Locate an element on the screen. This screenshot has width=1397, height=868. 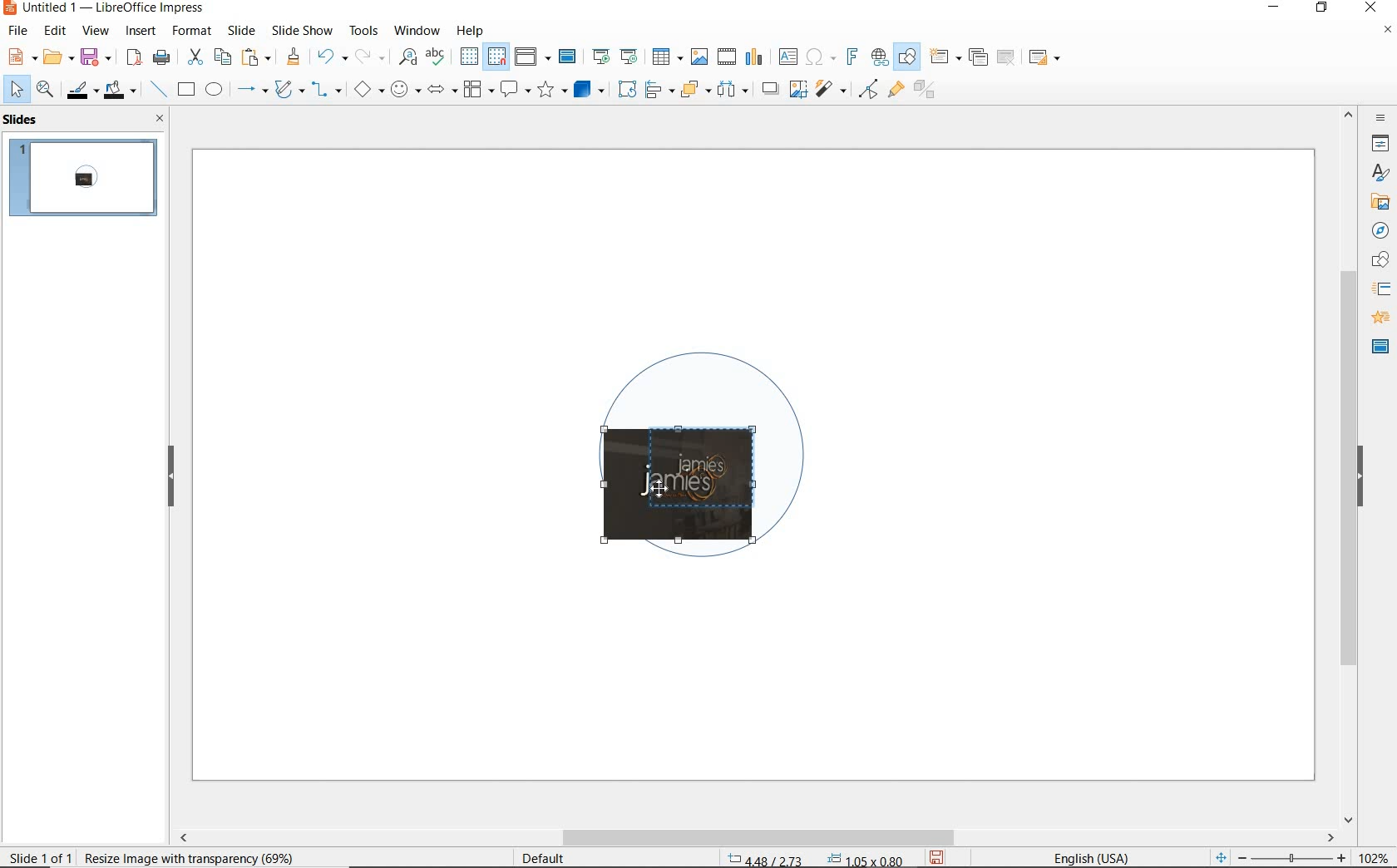
arrange is located at coordinates (692, 88).